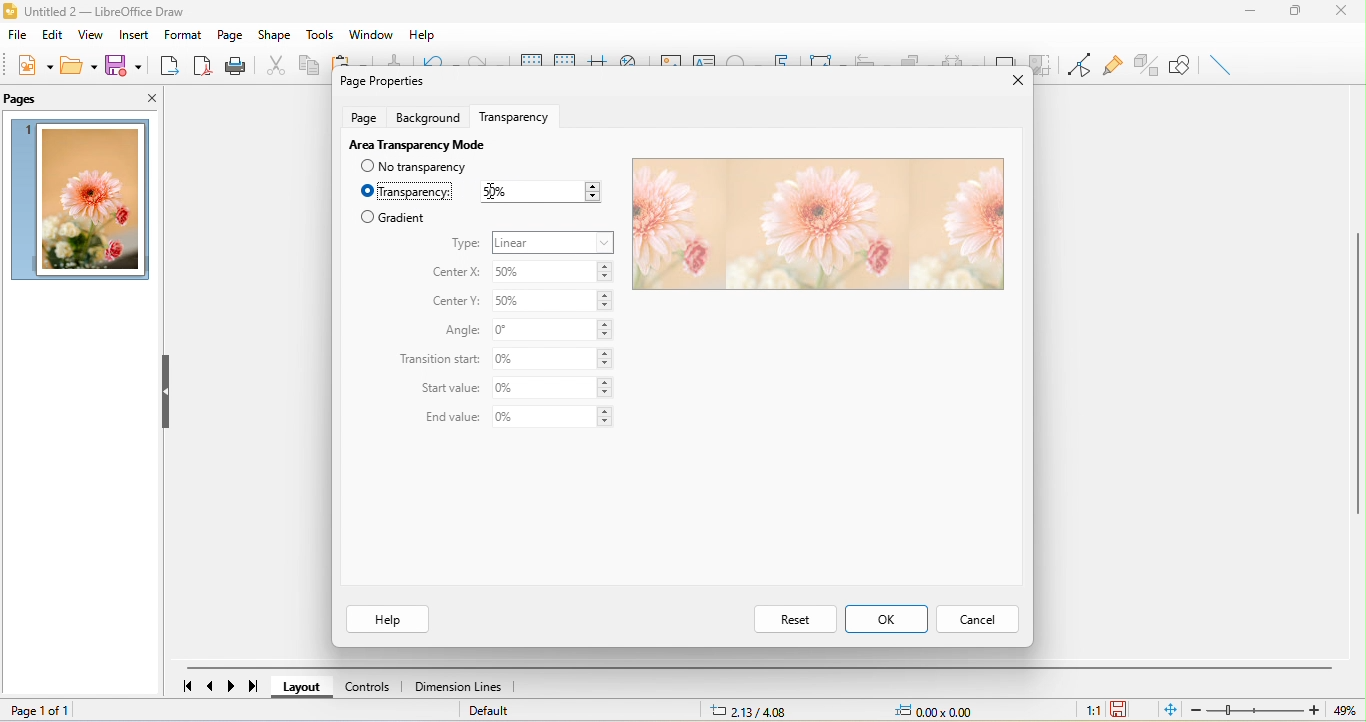 This screenshot has width=1366, height=722. What do you see at coordinates (372, 687) in the screenshot?
I see `controls` at bounding box center [372, 687].